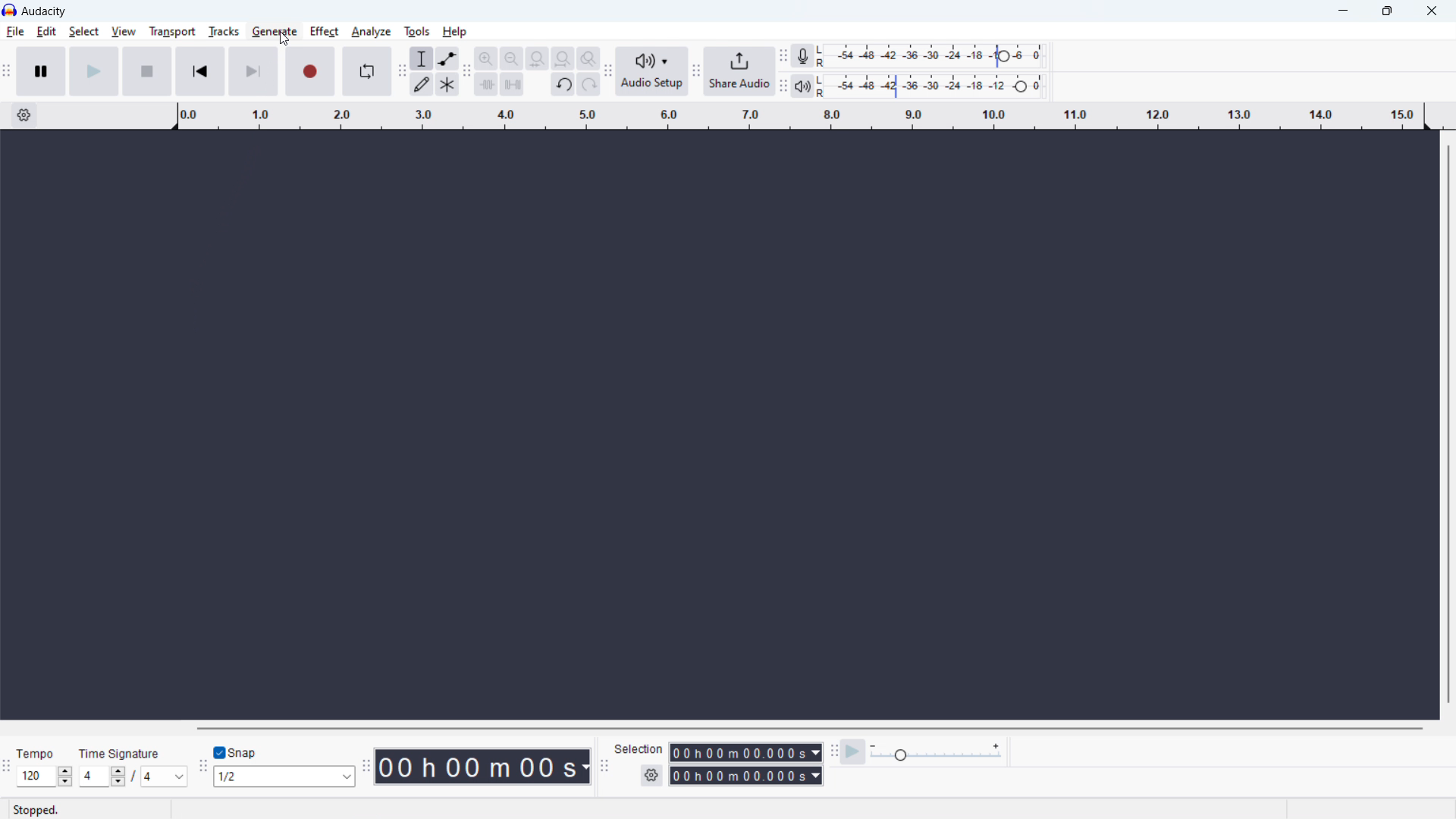  I want to click on close, so click(1432, 10).